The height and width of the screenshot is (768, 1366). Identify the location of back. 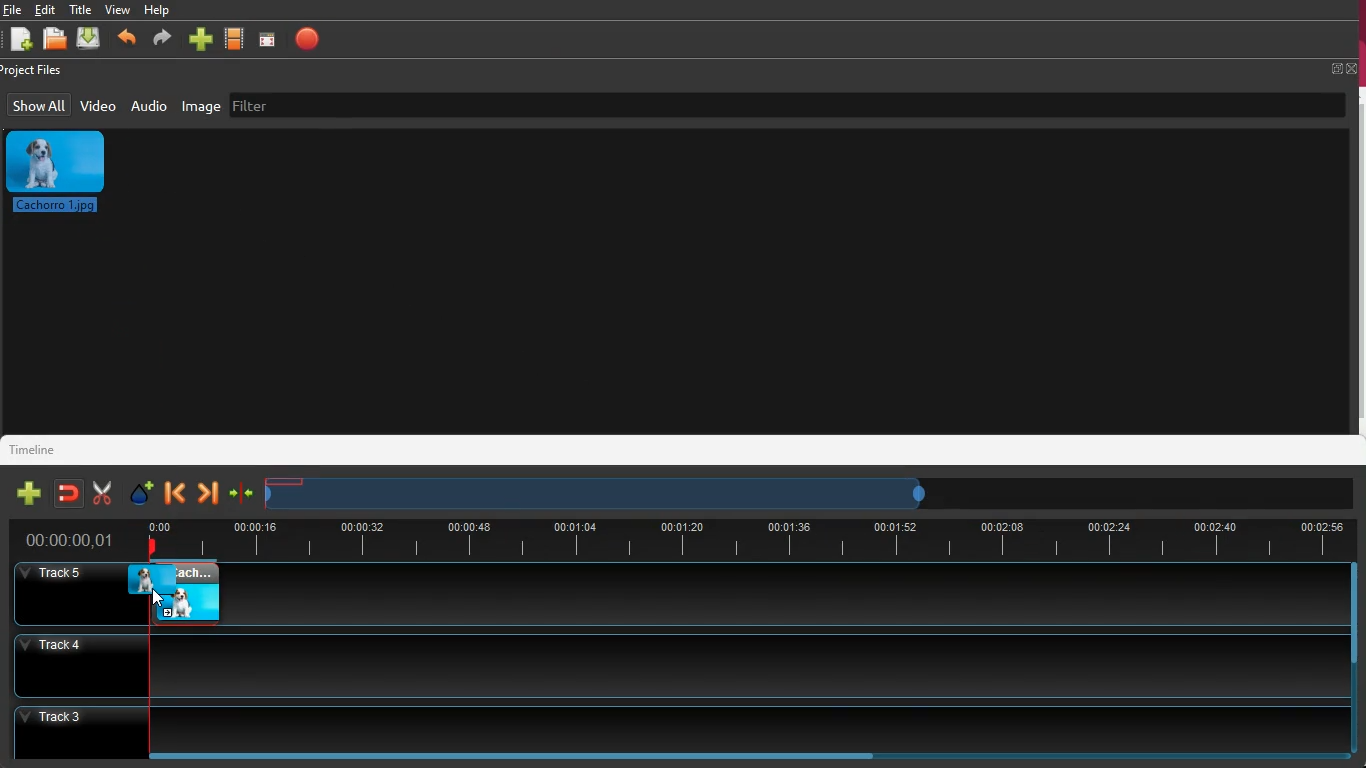
(129, 38).